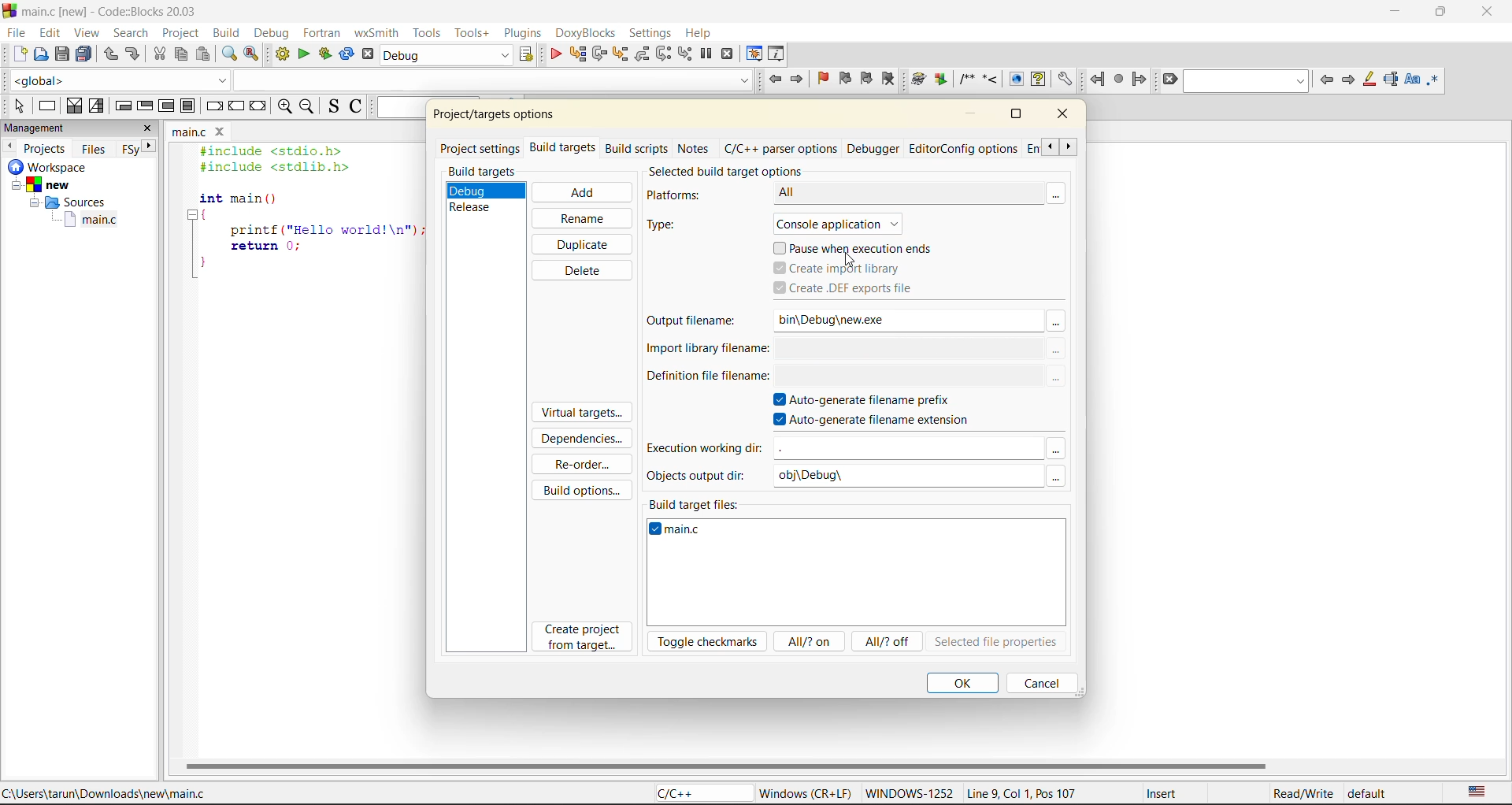 The width and height of the screenshot is (1512, 805). Describe the element at coordinates (19, 54) in the screenshot. I see `new` at that location.